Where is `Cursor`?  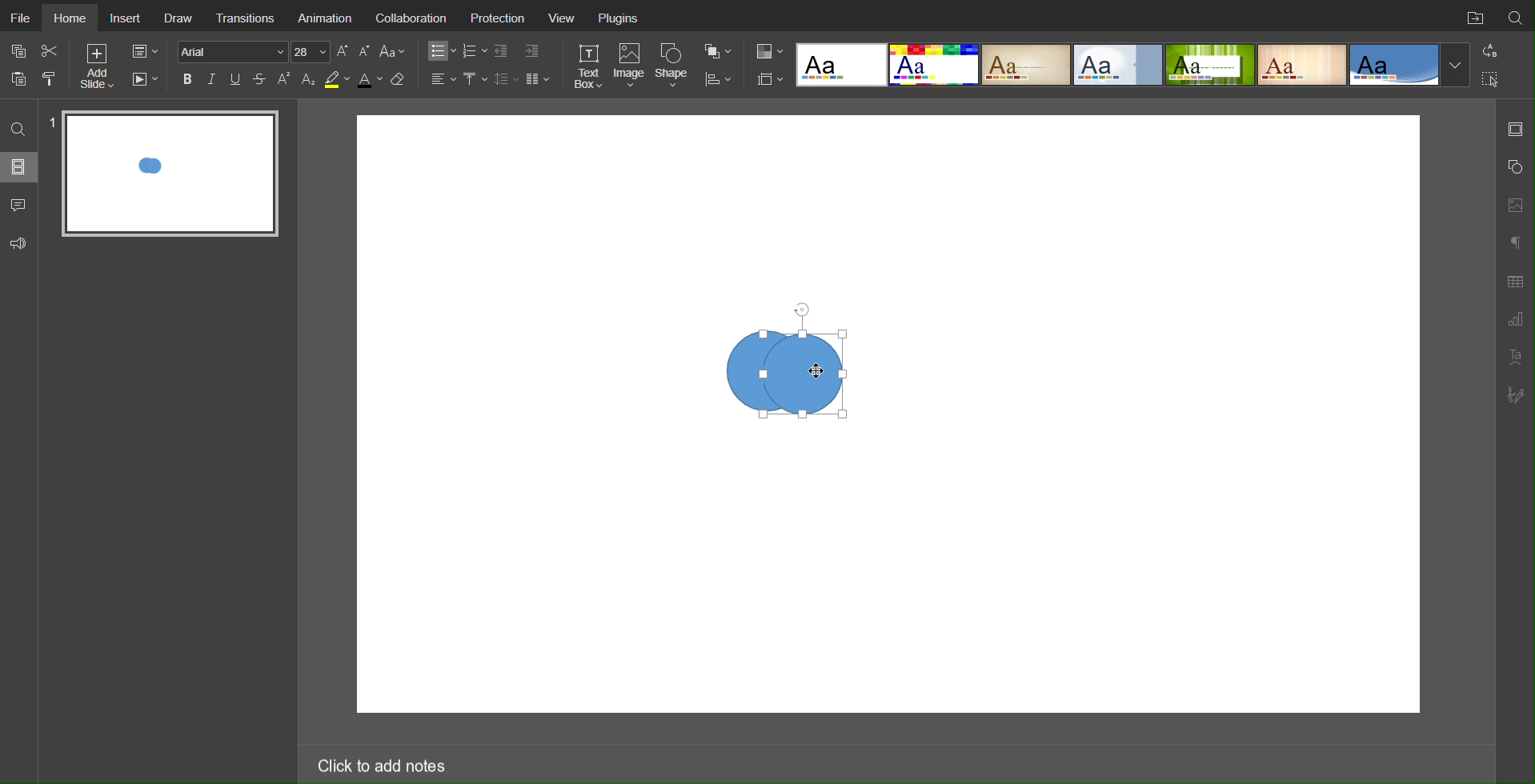
Cursor is located at coordinates (816, 372).